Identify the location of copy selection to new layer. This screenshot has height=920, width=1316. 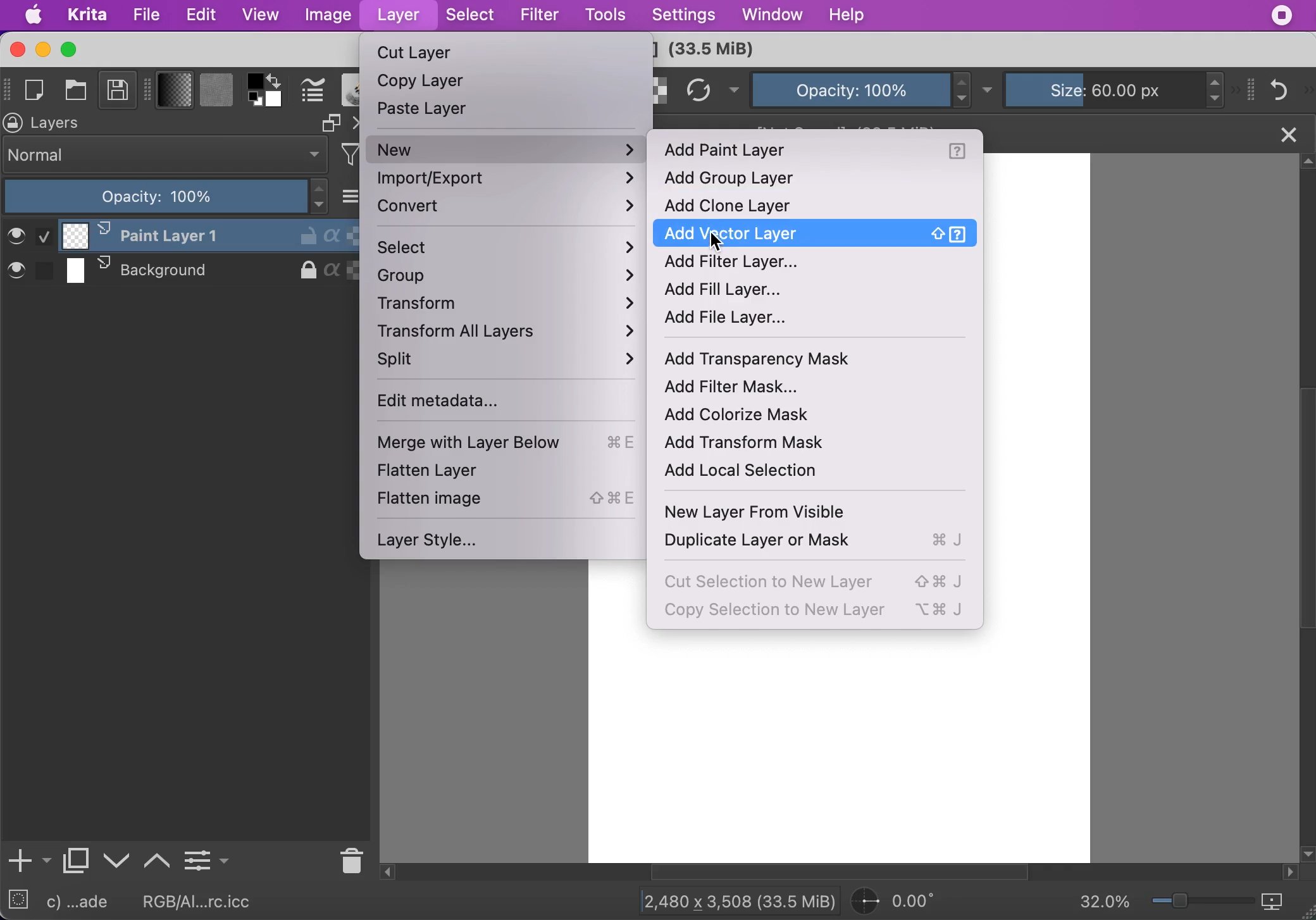
(822, 612).